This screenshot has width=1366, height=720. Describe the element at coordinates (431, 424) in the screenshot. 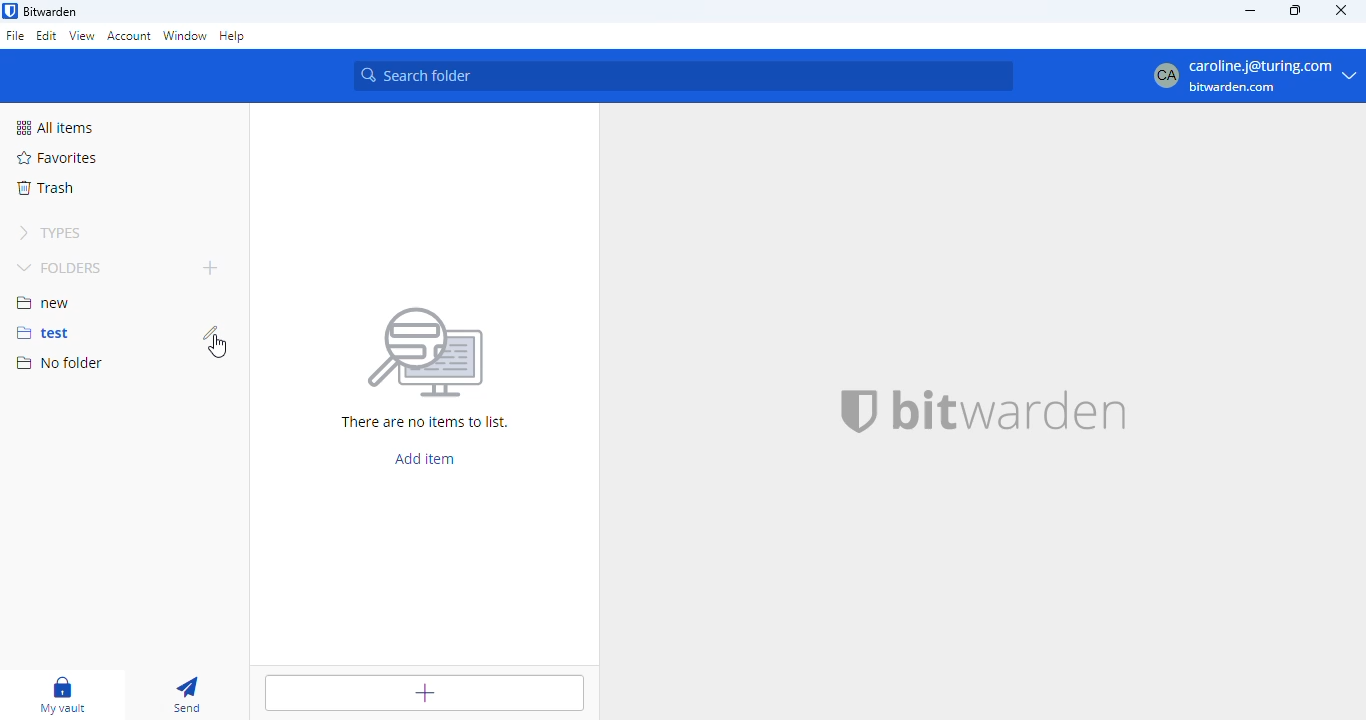

I see `There are no items to list` at that location.